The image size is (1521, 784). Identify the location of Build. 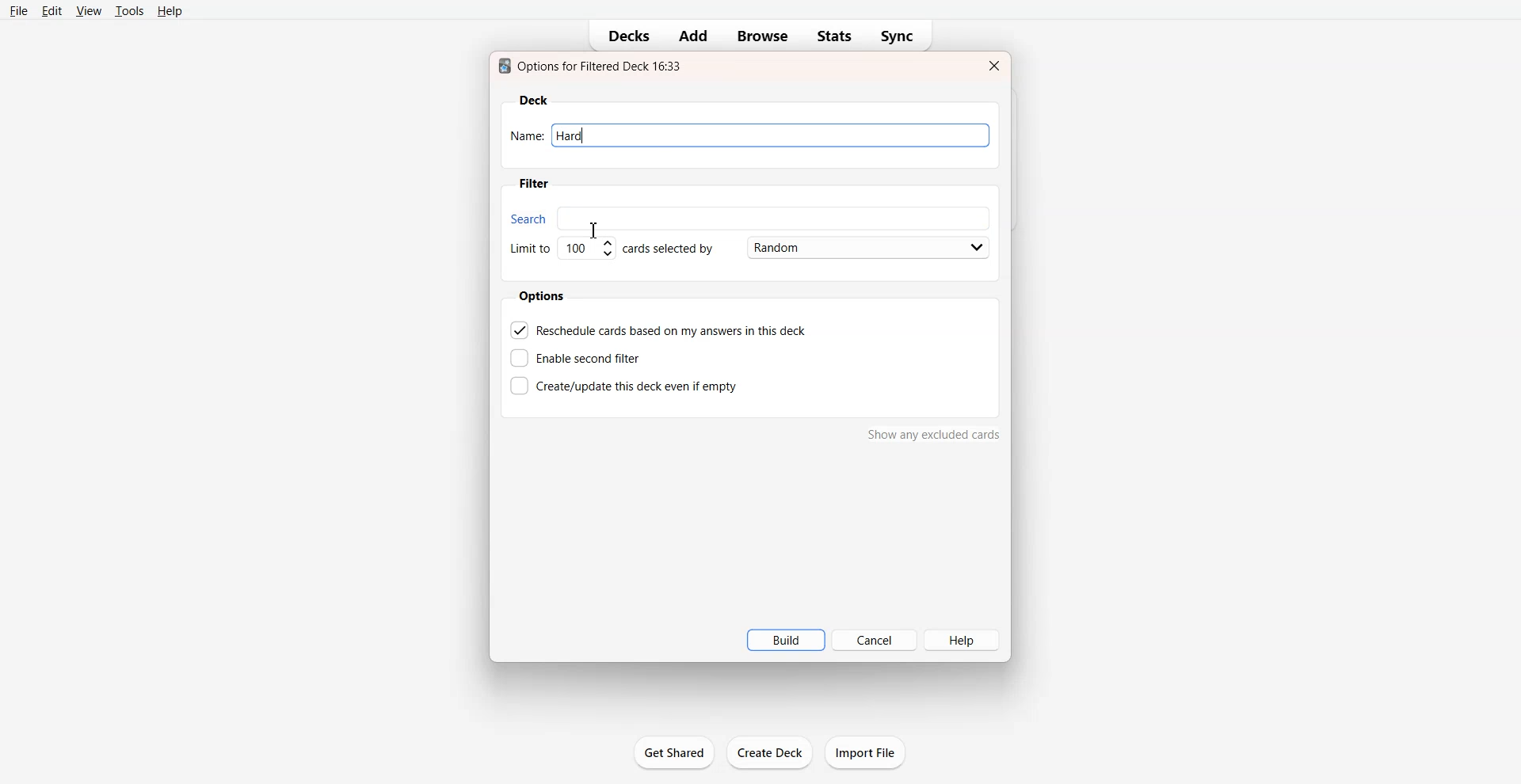
(786, 640).